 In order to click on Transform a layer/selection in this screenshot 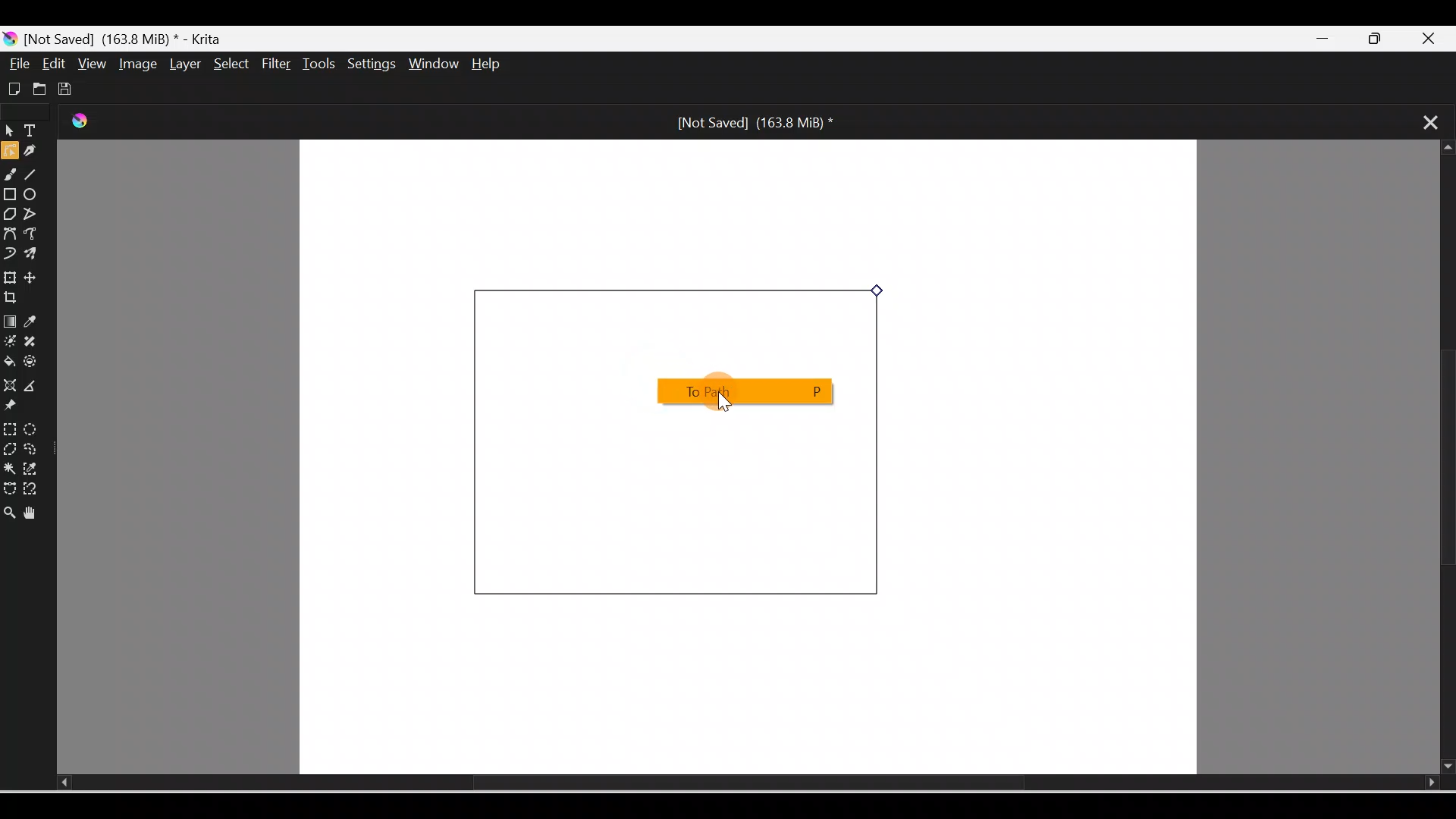, I will do `click(10, 275)`.